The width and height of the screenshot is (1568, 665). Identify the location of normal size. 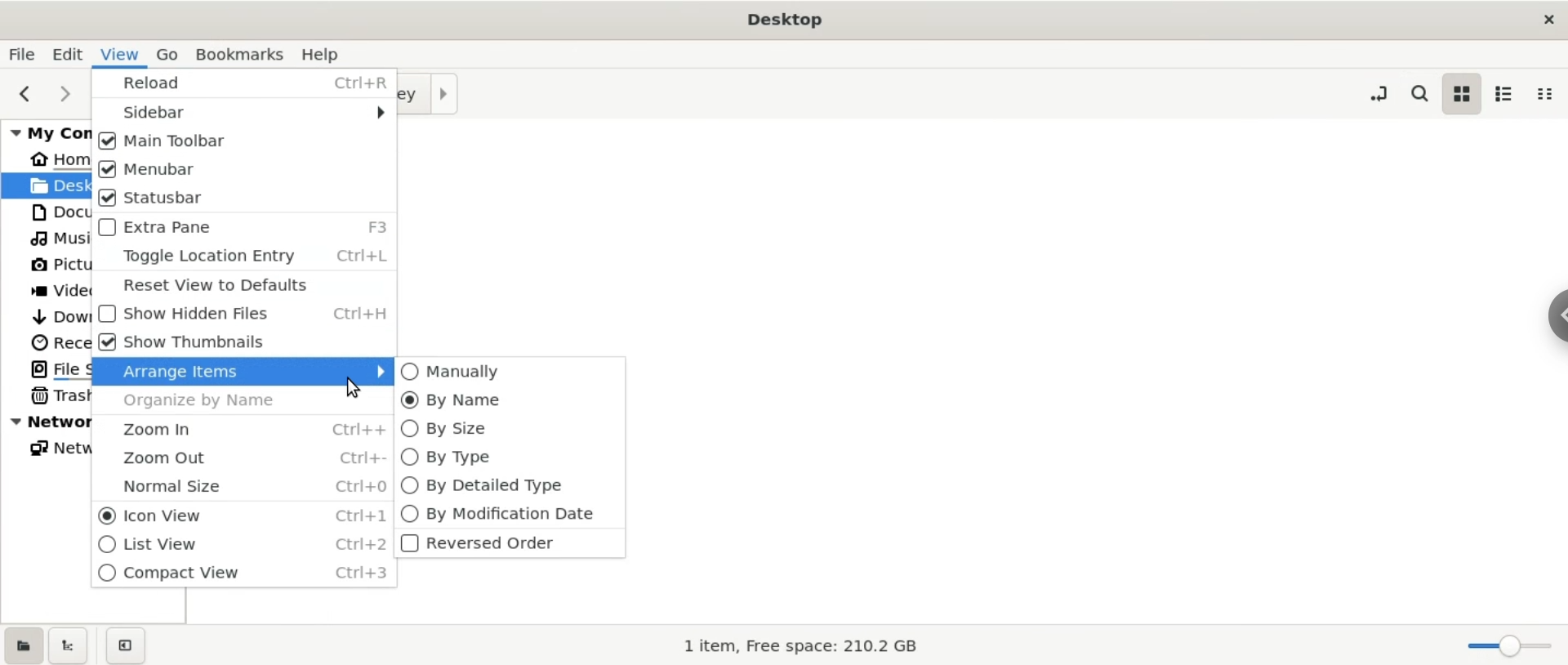
(238, 490).